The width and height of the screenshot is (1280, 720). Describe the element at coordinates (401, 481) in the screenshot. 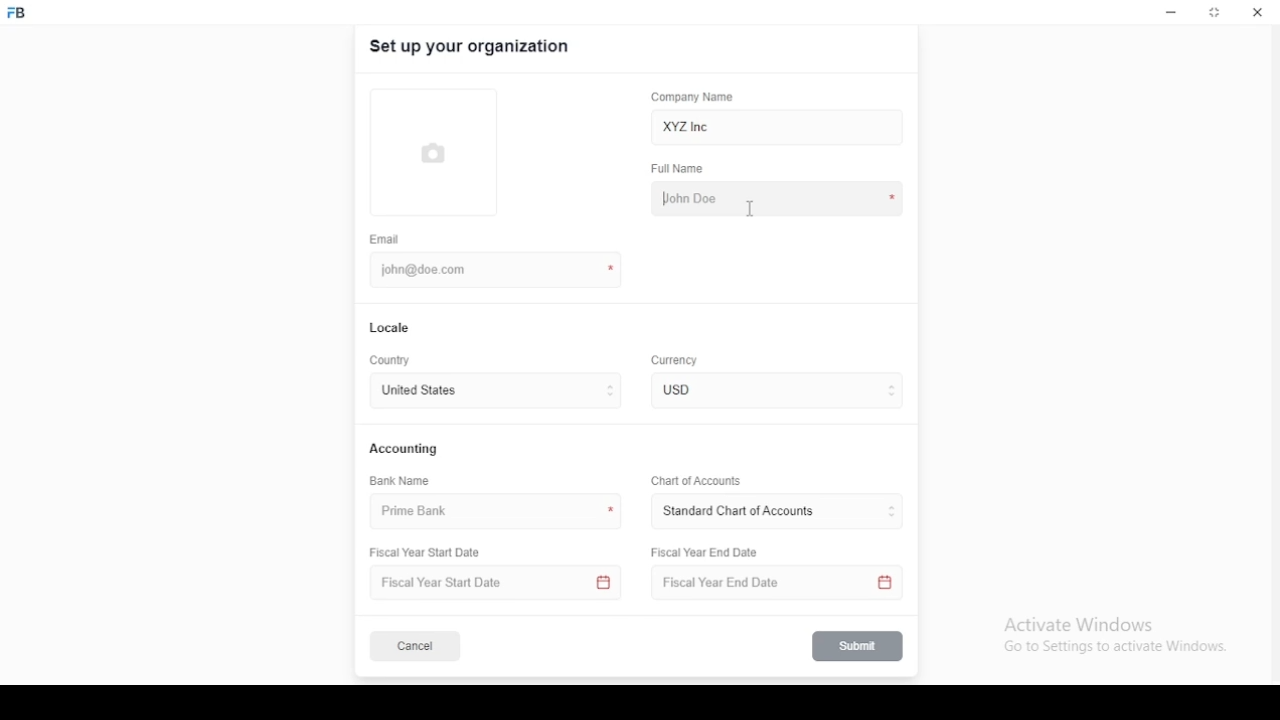

I see `bank name` at that location.